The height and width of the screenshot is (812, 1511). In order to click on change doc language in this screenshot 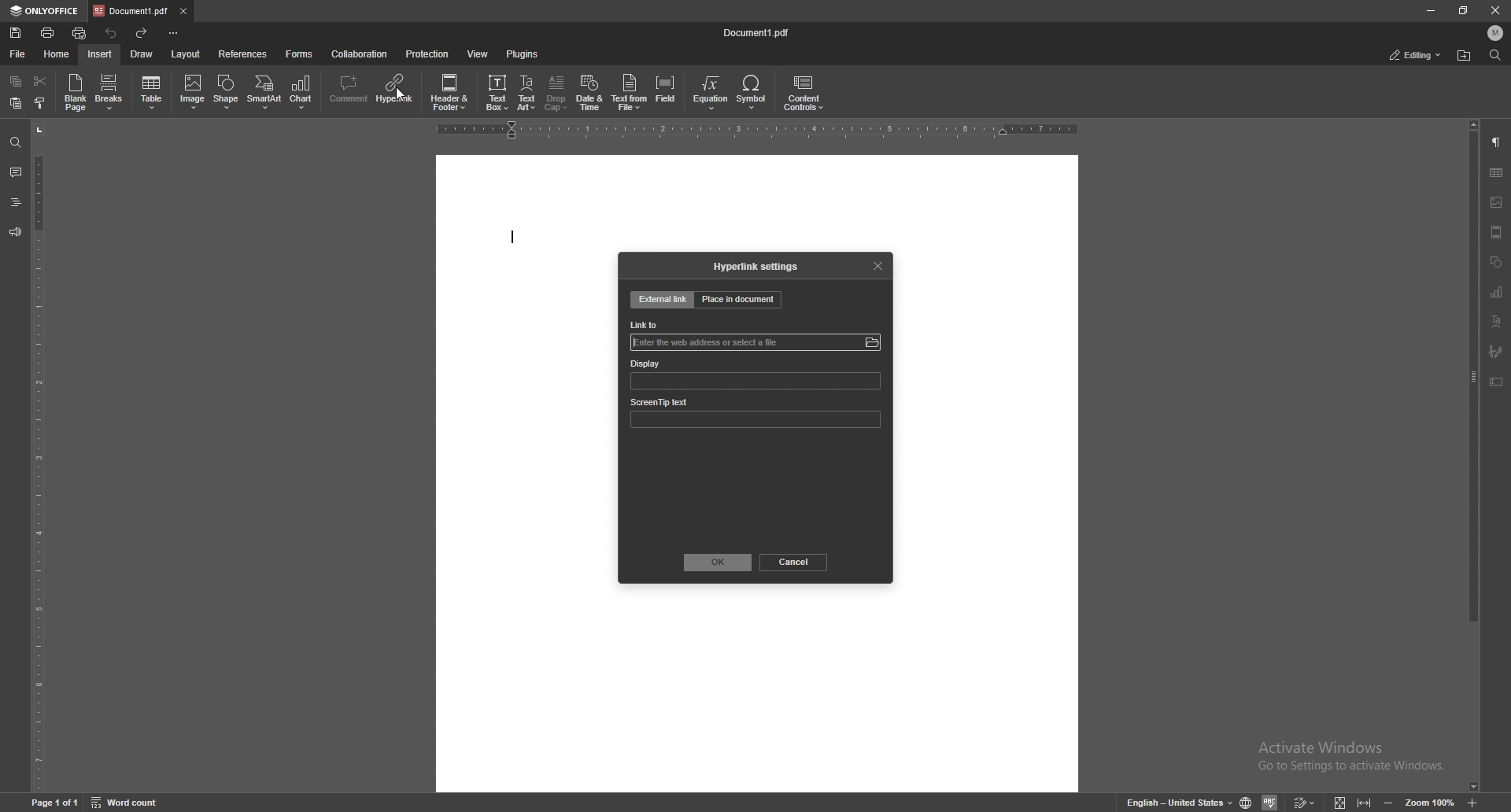, I will do `click(1247, 801)`.